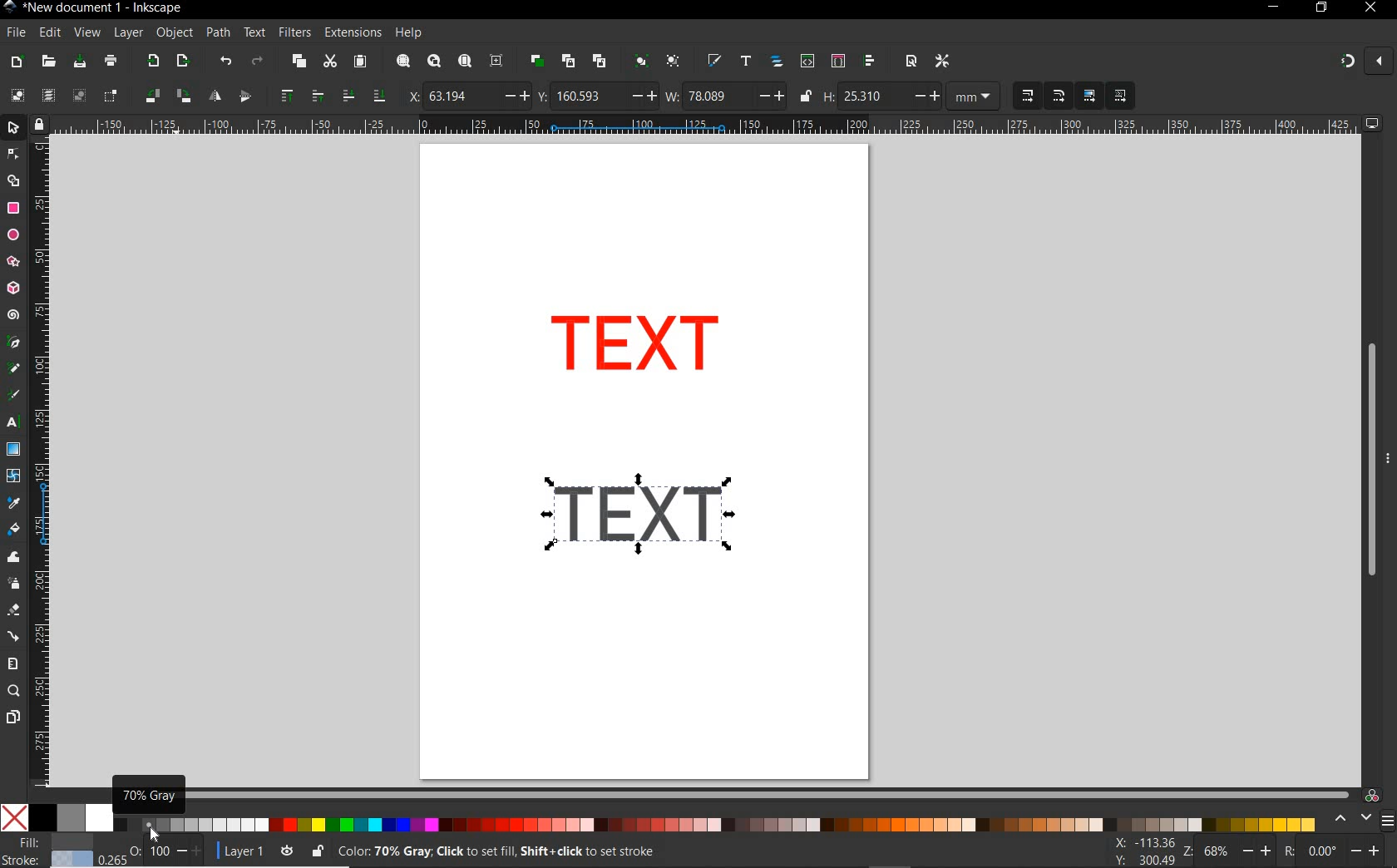  Describe the element at coordinates (1361, 819) in the screenshot. I see `select color palette` at that location.